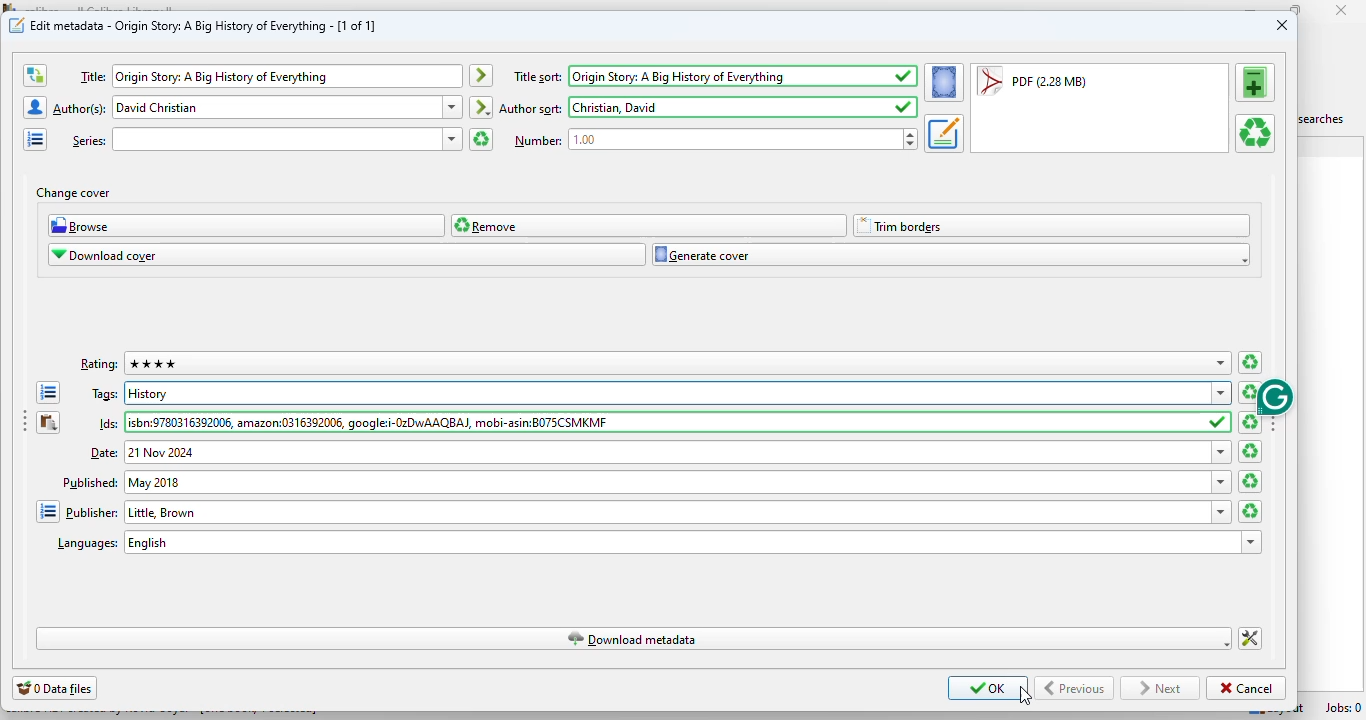  What do you see at coordinates (106, 395) in the screenshot?
I see `text` at bounding box center [106, 395].